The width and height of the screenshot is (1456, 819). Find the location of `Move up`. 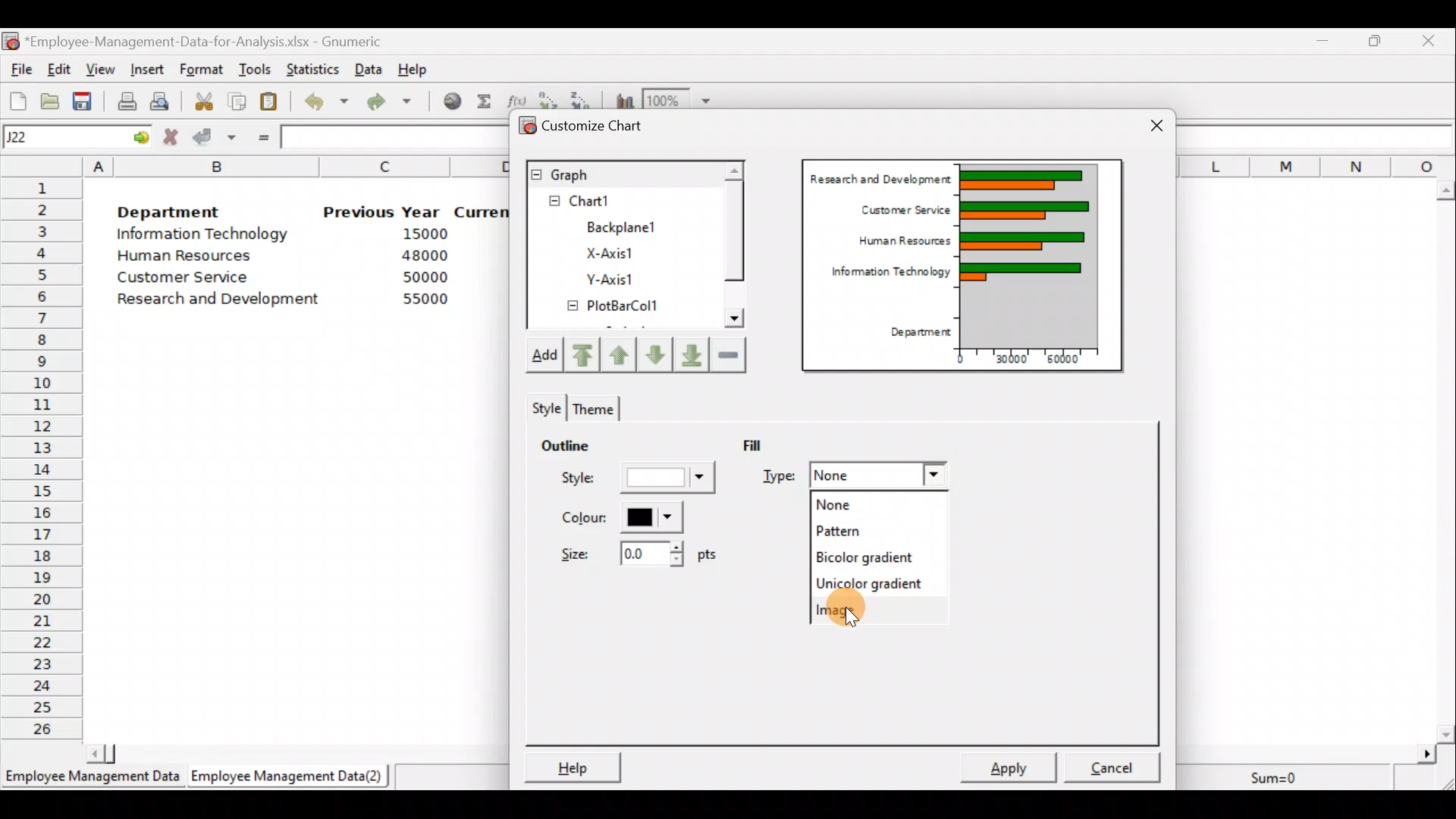

Move up is located at coordinates (652, 353).